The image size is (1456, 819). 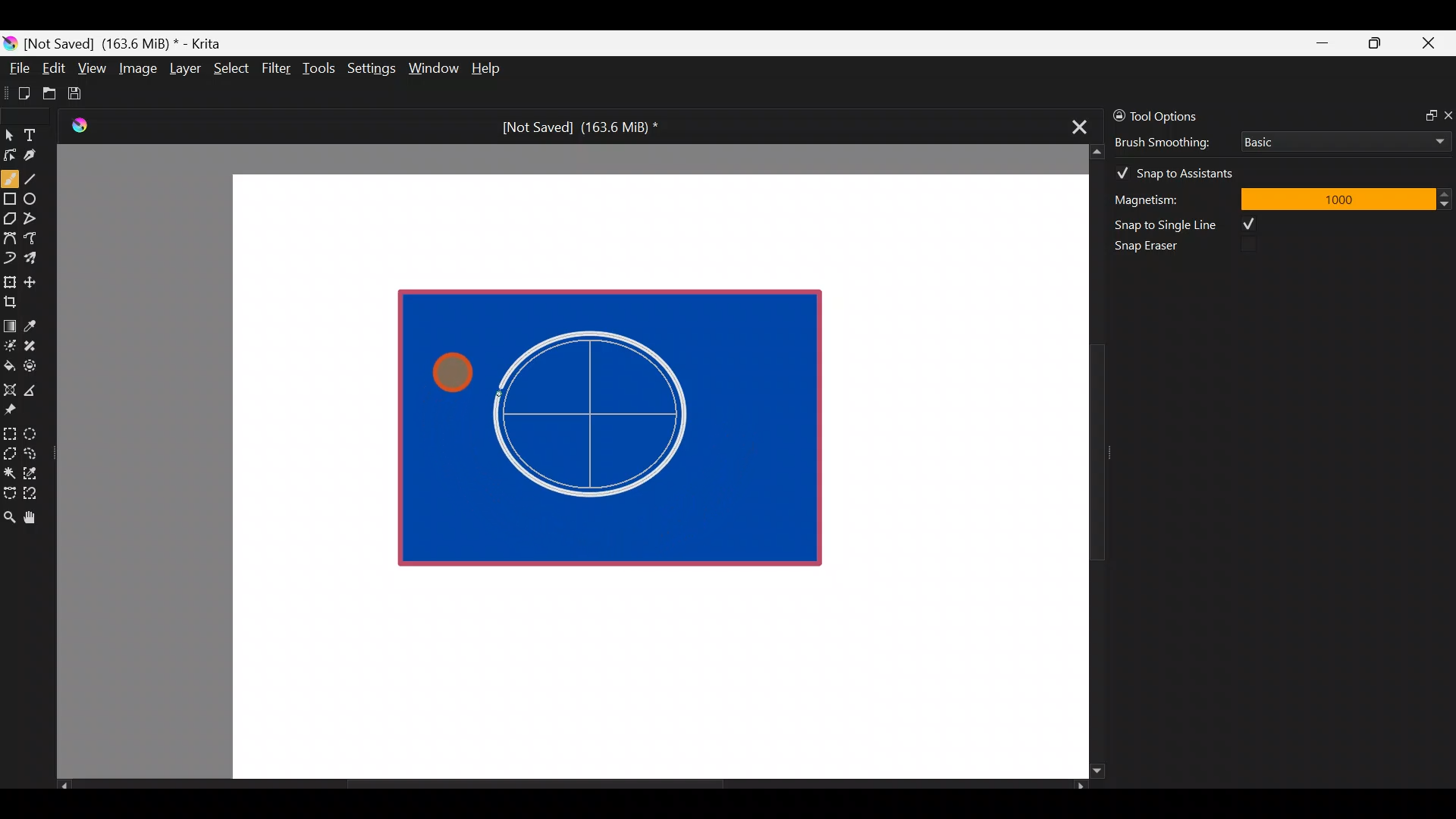 What do you see at coordinates (40, 177) in the screenshot?
I see `Line tool` at bounding box center [40, 177].